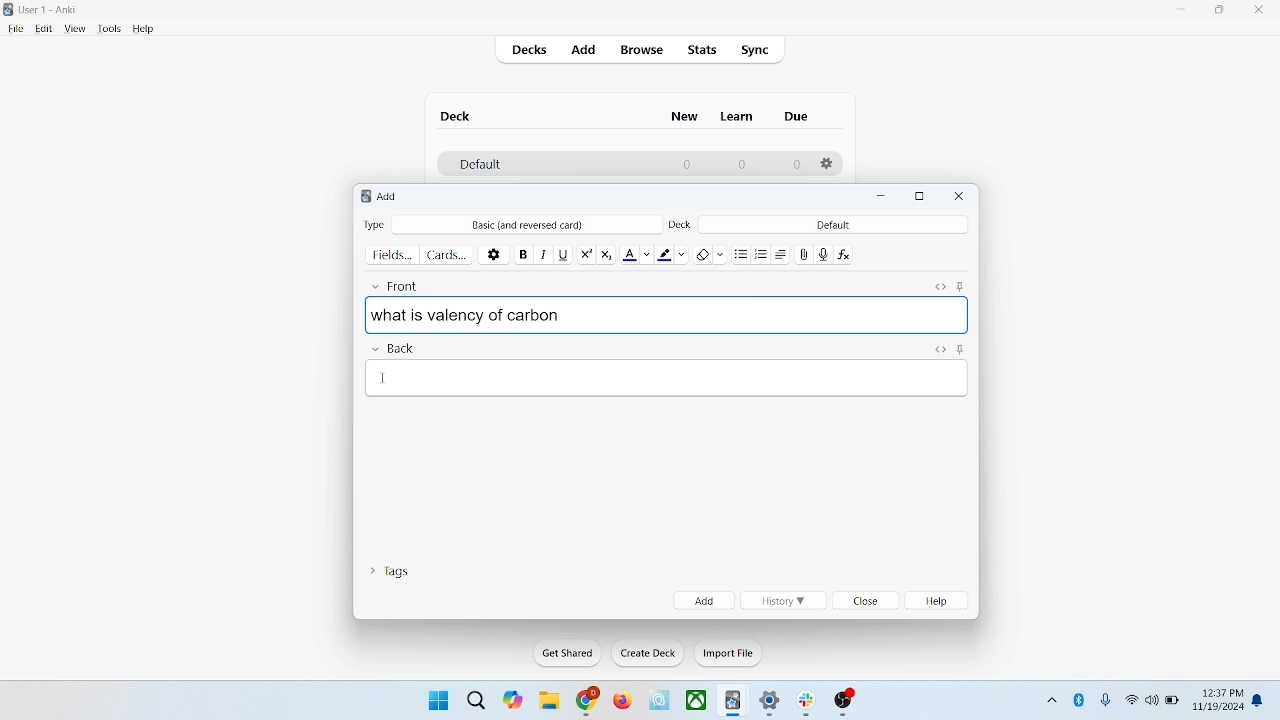 The width and height of the screenshot is (1280, 720). What do you see at coordinates (622, 701) in the screenshot?
I see `firefox` at bounding box center [622, 701].